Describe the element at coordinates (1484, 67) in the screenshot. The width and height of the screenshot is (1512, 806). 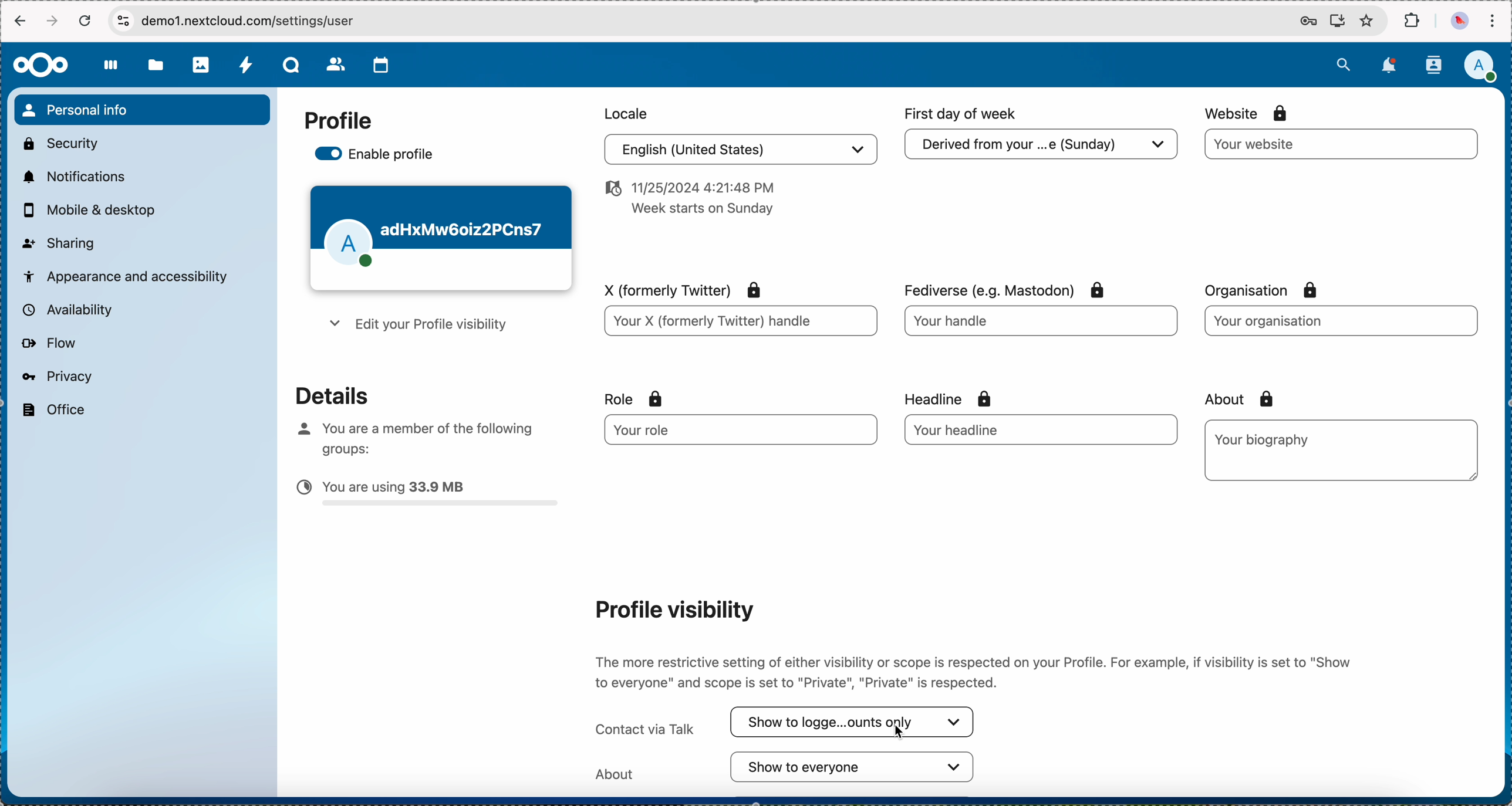
I see `click on user profile` at that location.